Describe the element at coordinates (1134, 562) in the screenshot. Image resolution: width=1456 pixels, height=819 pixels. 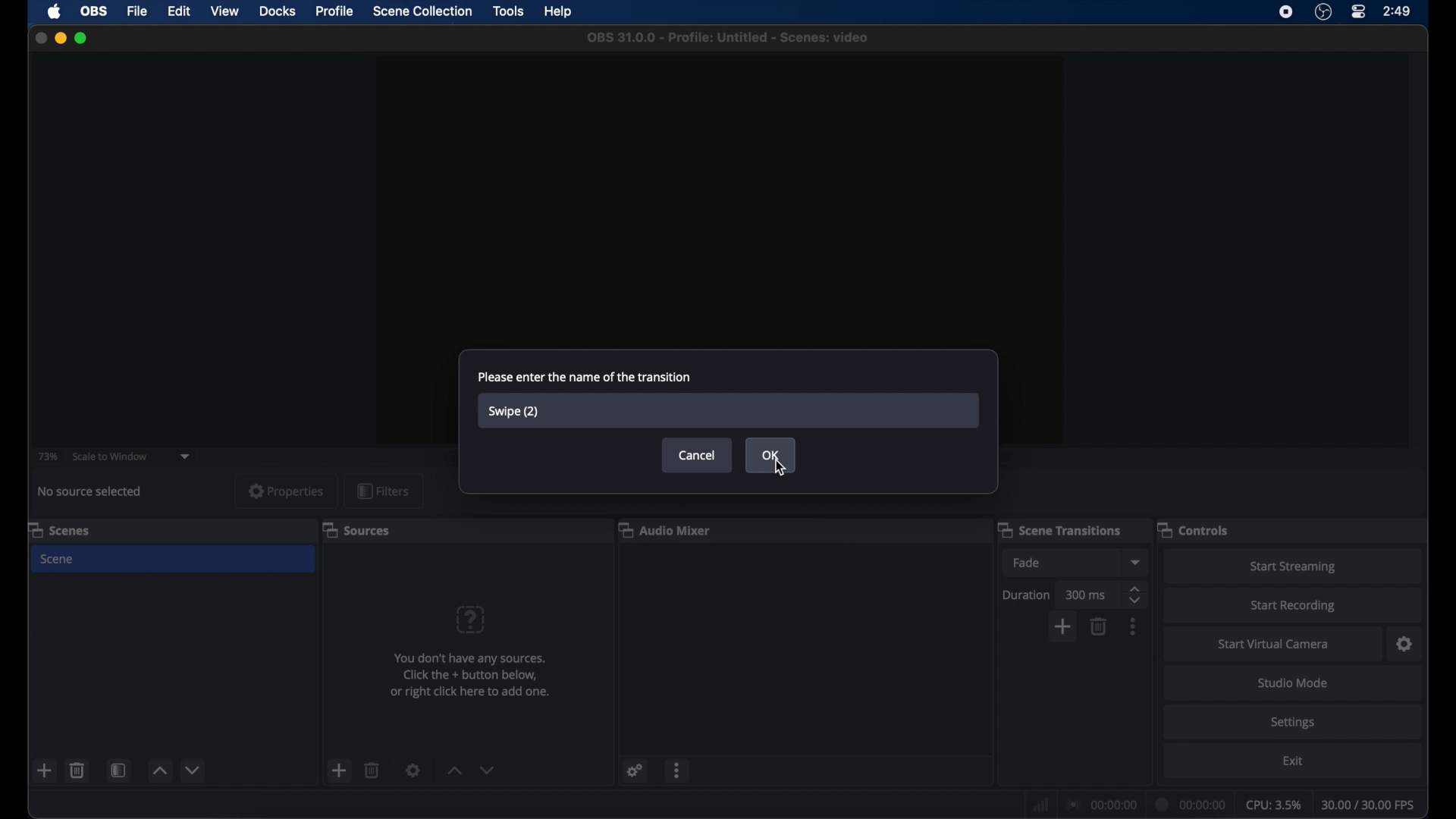
I see `dropdown` at that location.